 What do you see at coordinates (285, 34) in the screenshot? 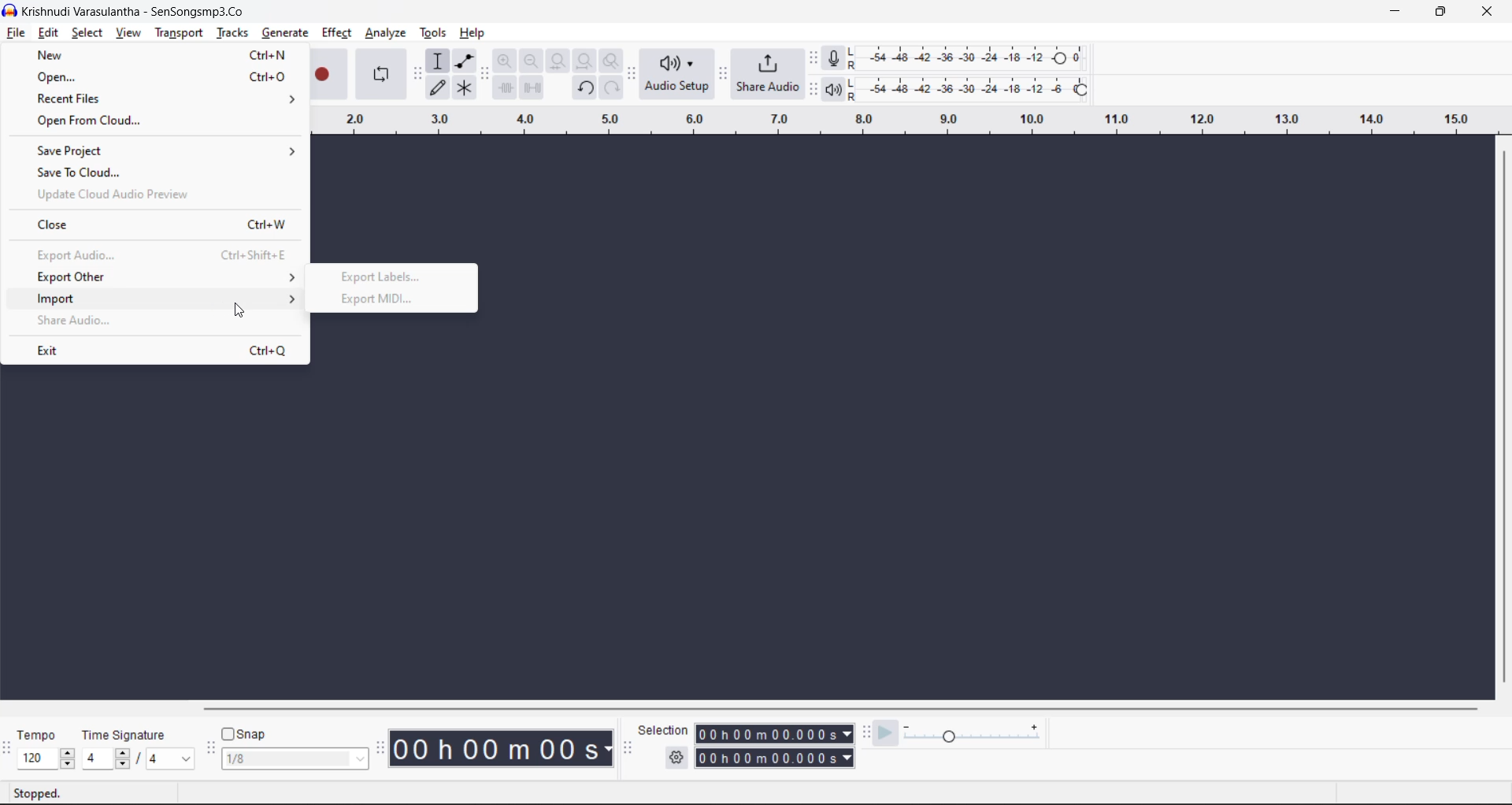
I see `generate` at bounding box center [285, 34].